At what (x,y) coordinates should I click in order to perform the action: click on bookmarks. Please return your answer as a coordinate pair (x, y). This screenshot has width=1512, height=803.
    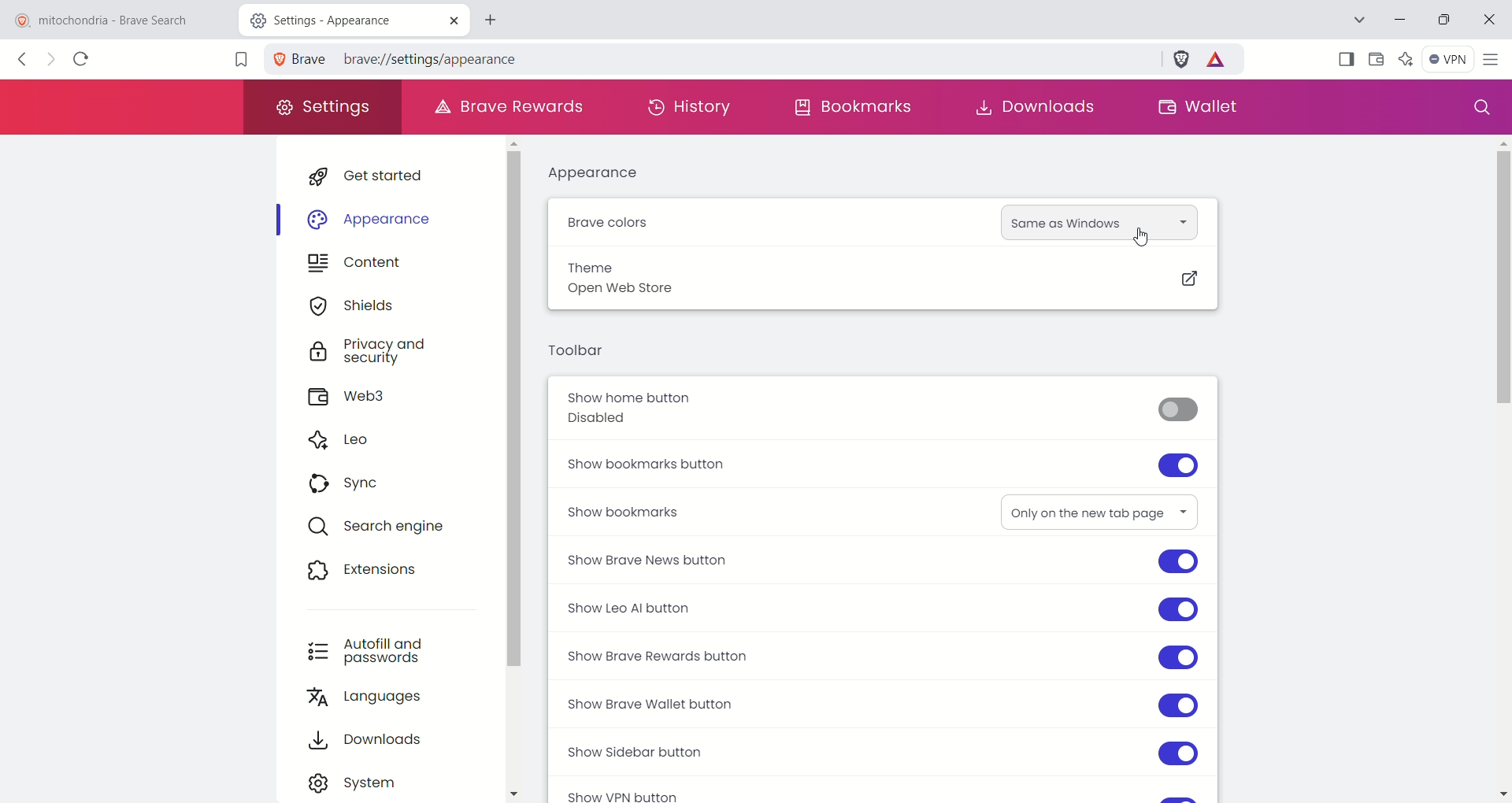
    Looking at the image, I should click on (854, 111).